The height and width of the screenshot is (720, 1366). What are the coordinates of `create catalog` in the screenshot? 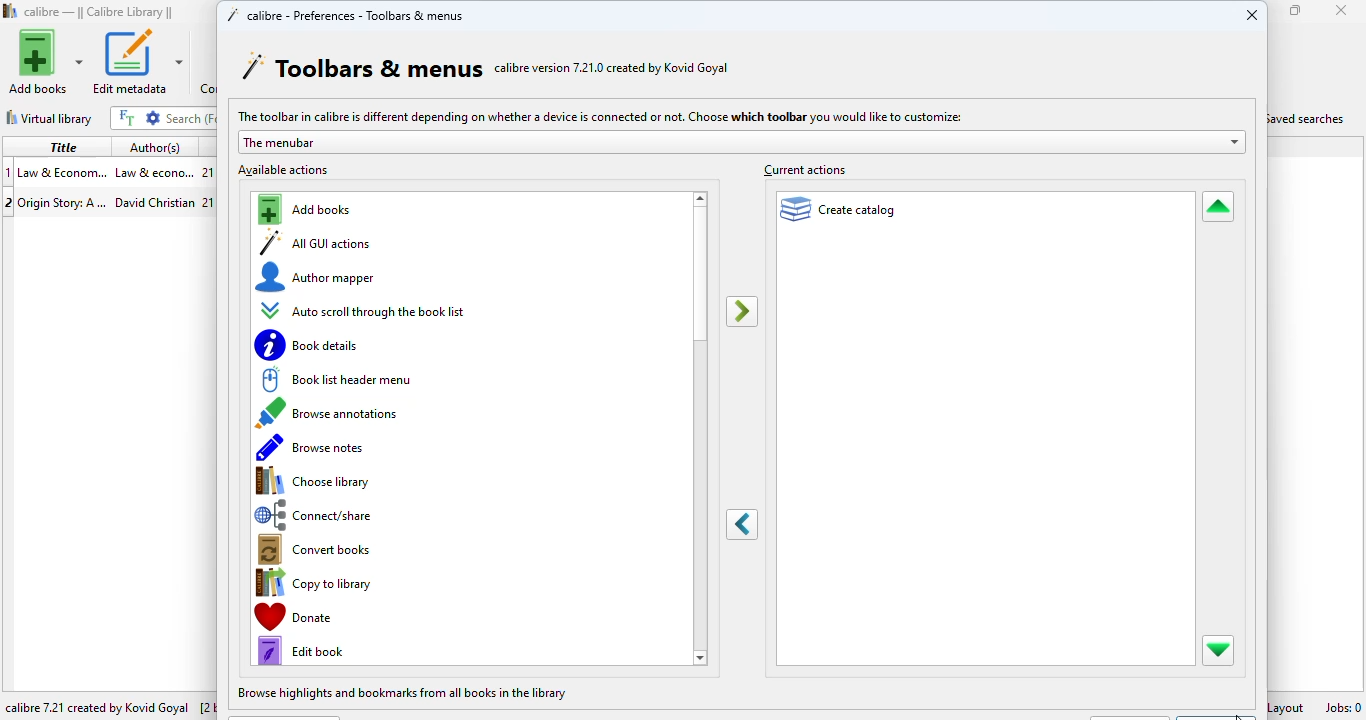 It's located at (840, 208).